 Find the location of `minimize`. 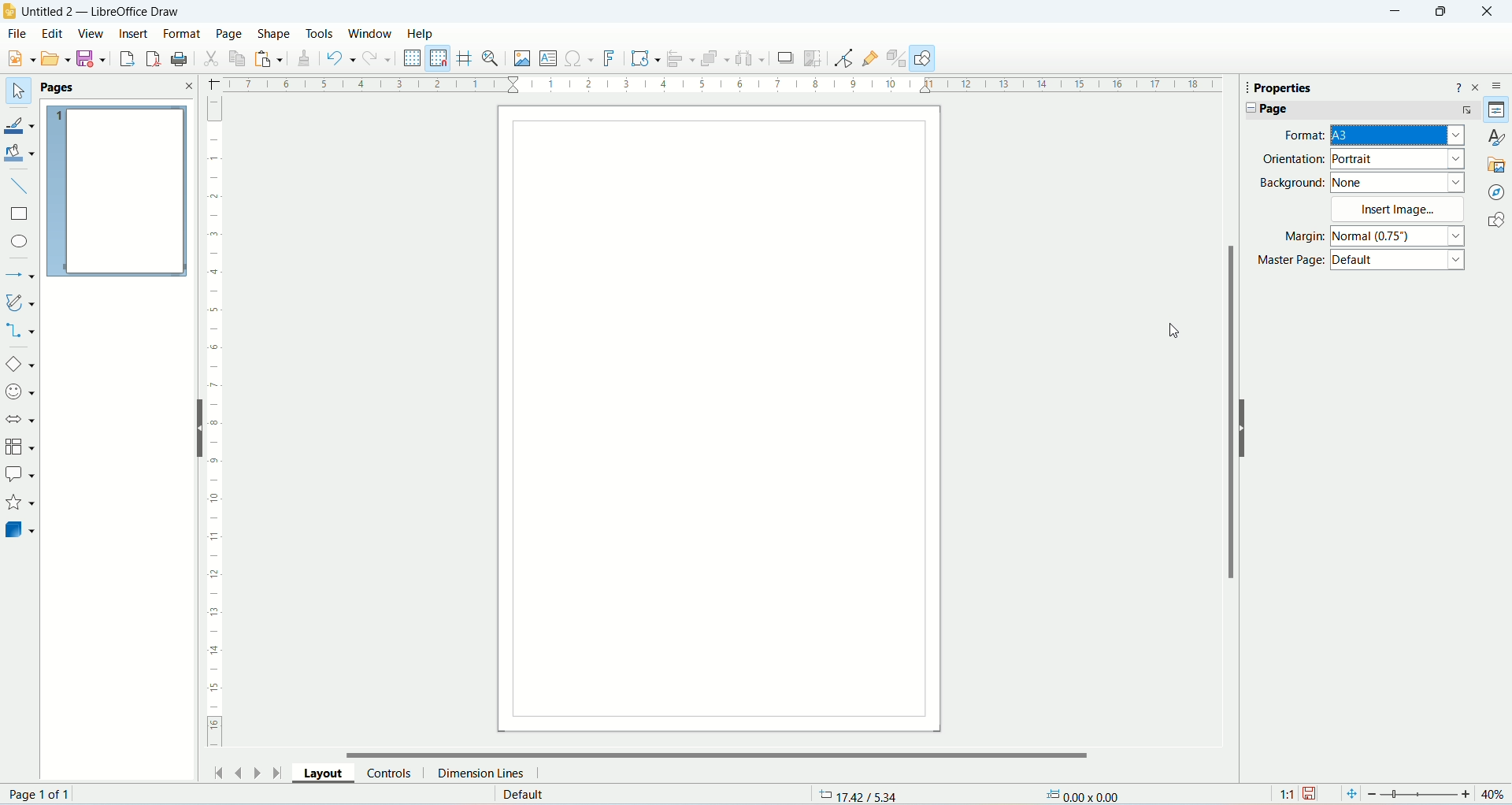

minimize is located at coordinates (1400, 11).